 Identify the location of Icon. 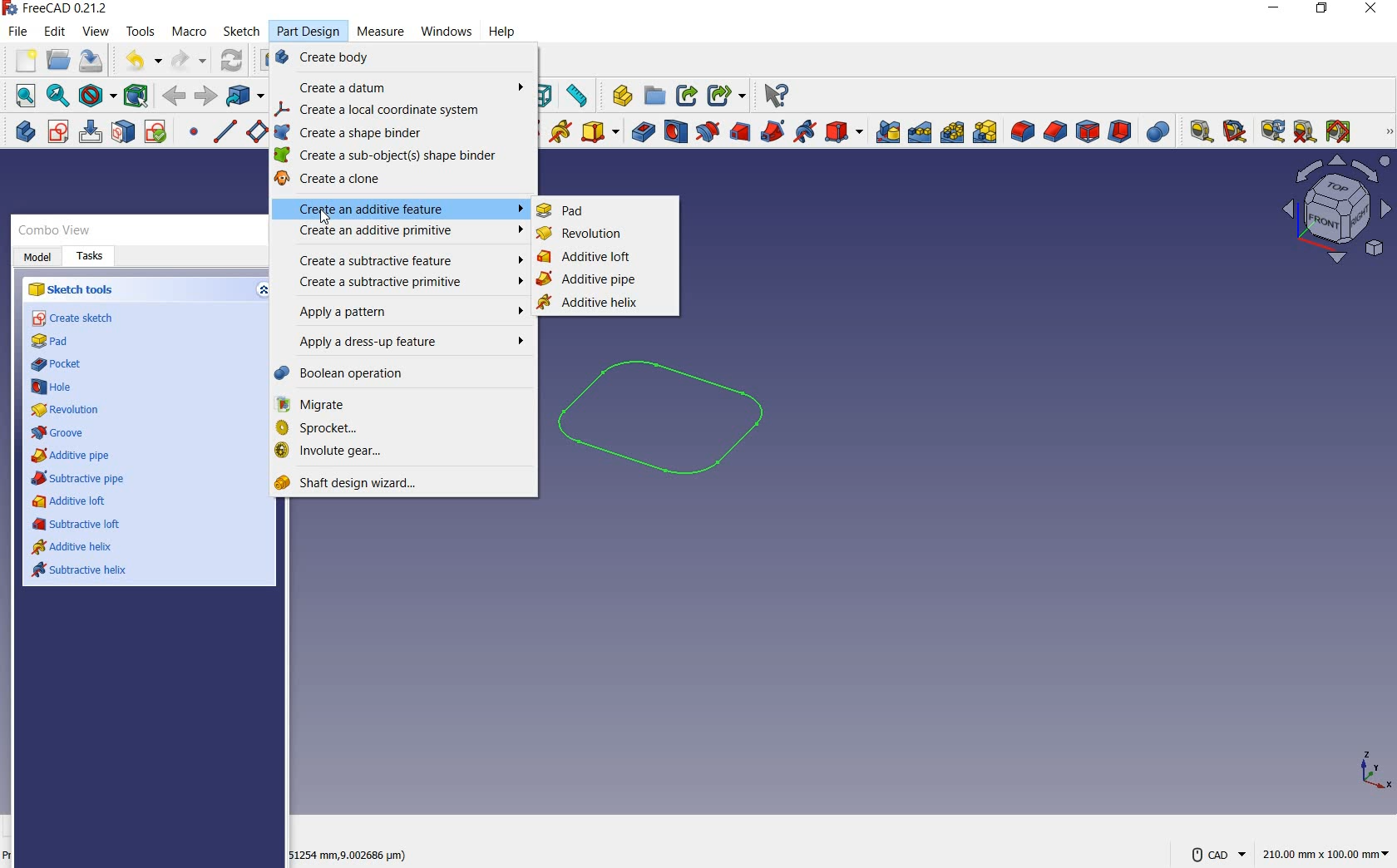
(549, 96).